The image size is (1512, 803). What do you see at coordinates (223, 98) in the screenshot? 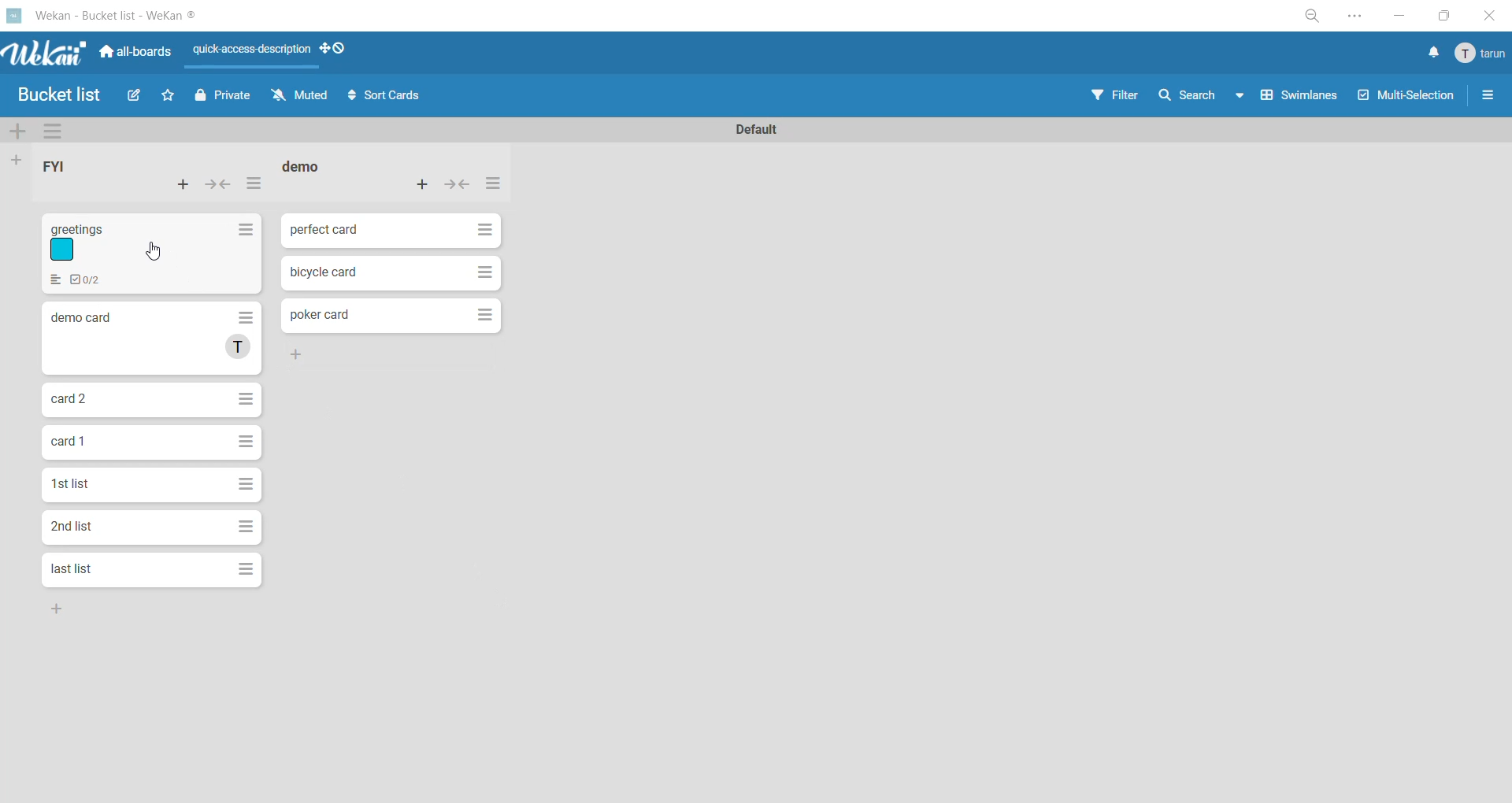
I see `private` at bounding box center [223, 98].